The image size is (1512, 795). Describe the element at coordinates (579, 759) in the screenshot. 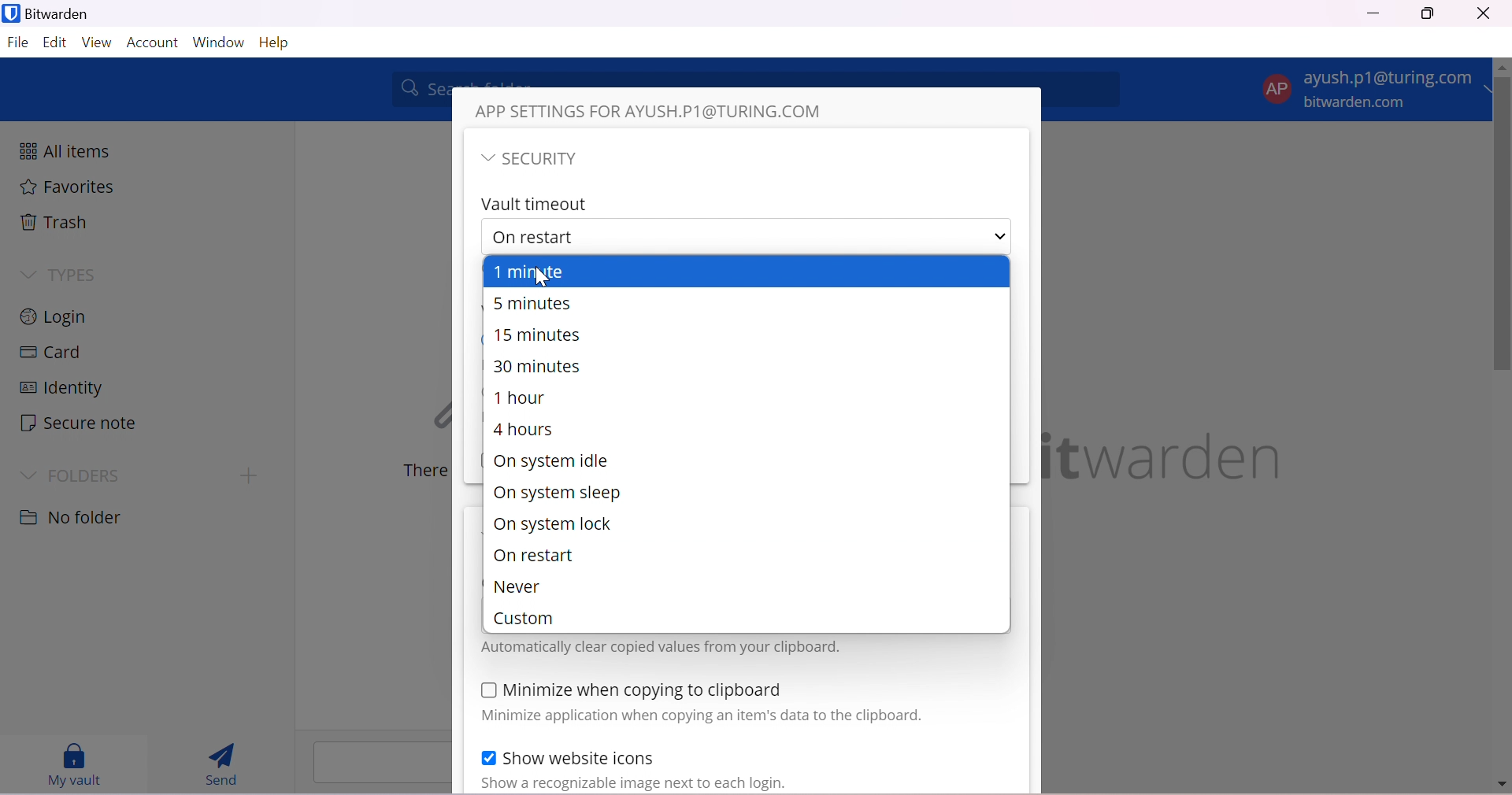

I see `` at that location.